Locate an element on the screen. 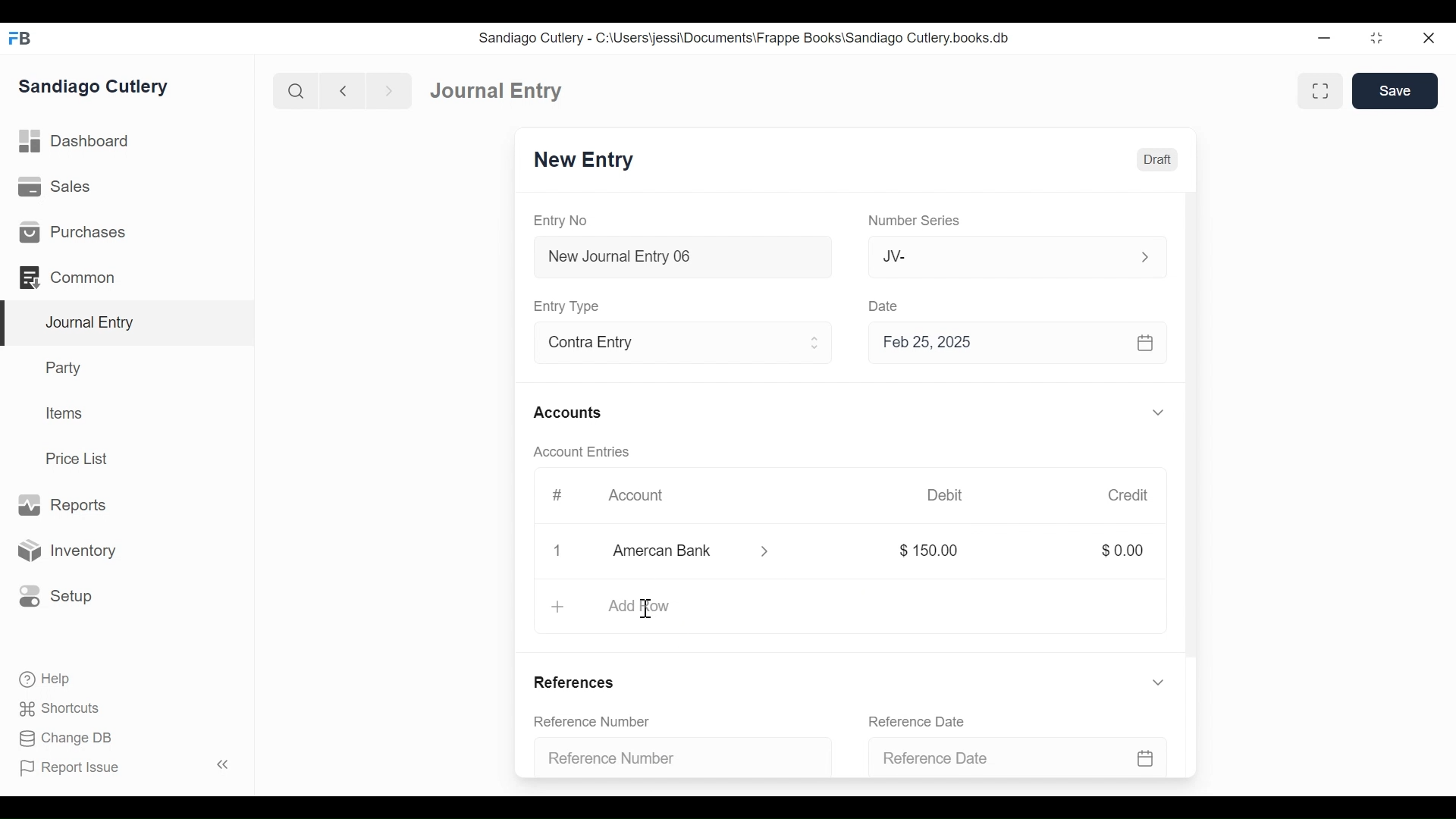 The width and height of the screenshot is (1456, 819). Expand is located at coordinates (1161, 413).